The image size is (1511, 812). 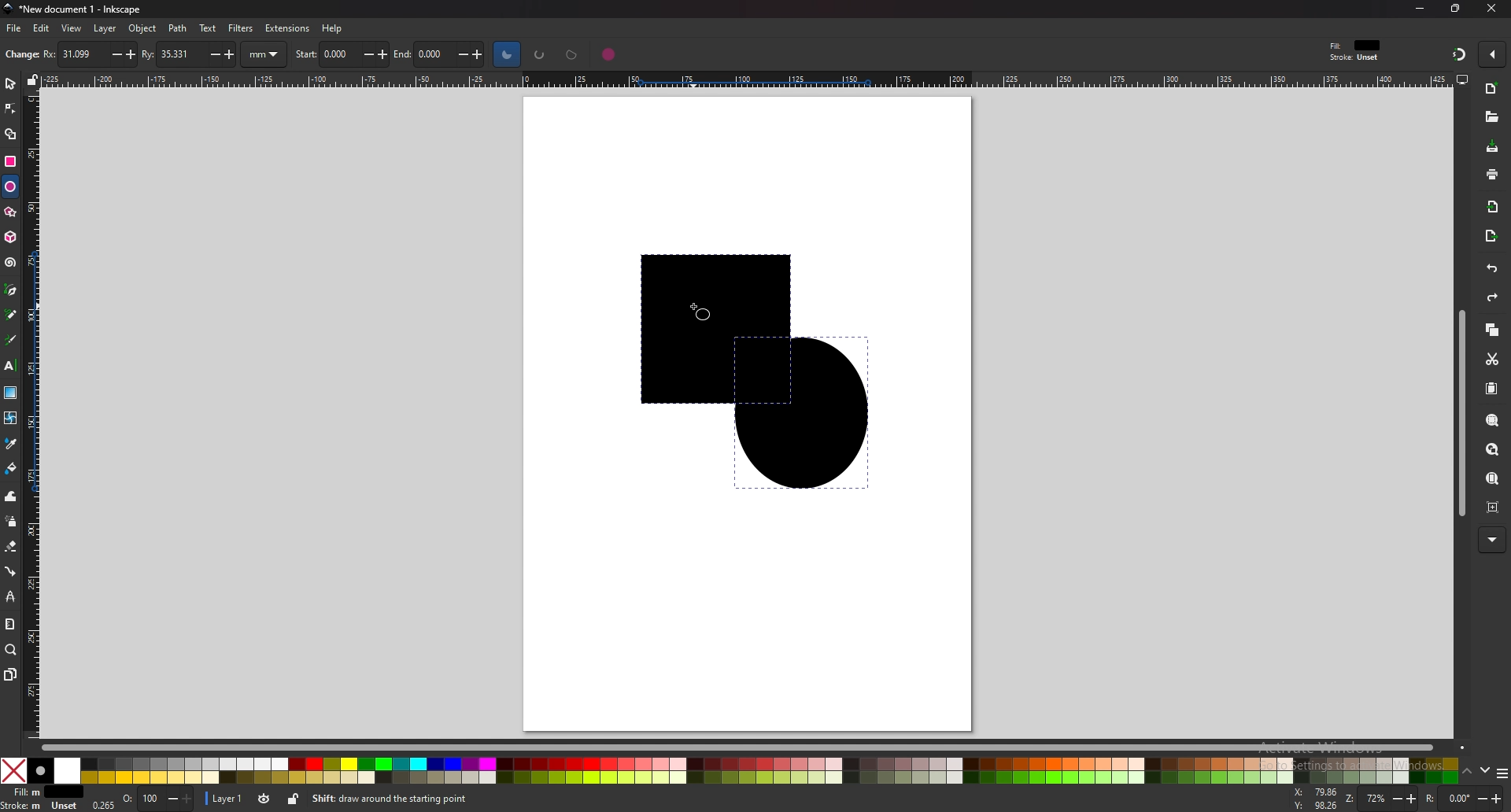 I want to click on new, so click(x=20, y=56).